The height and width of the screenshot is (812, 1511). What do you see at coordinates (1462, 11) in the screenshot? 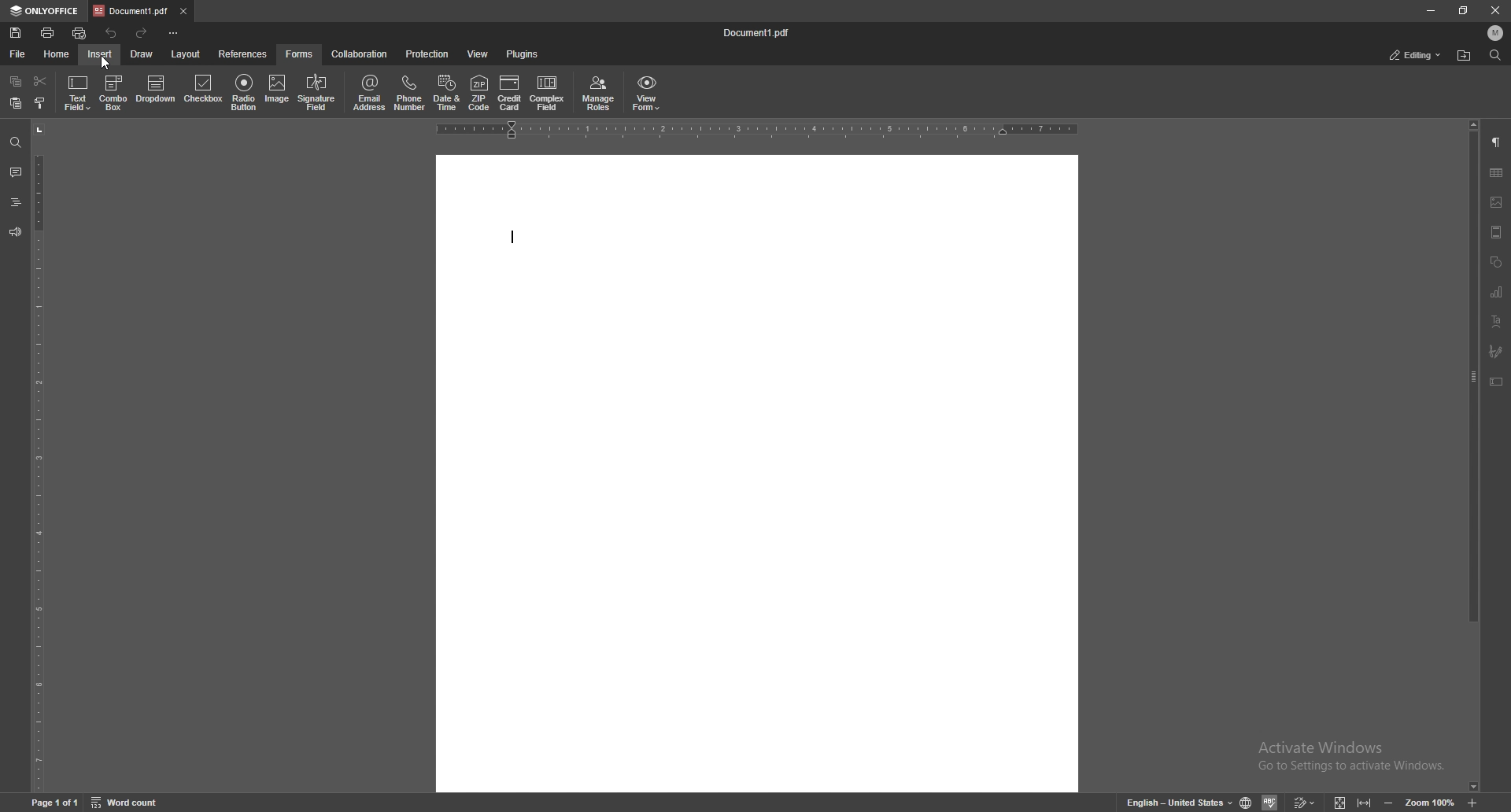
I see `resize` at bounding box center [1462, 11].